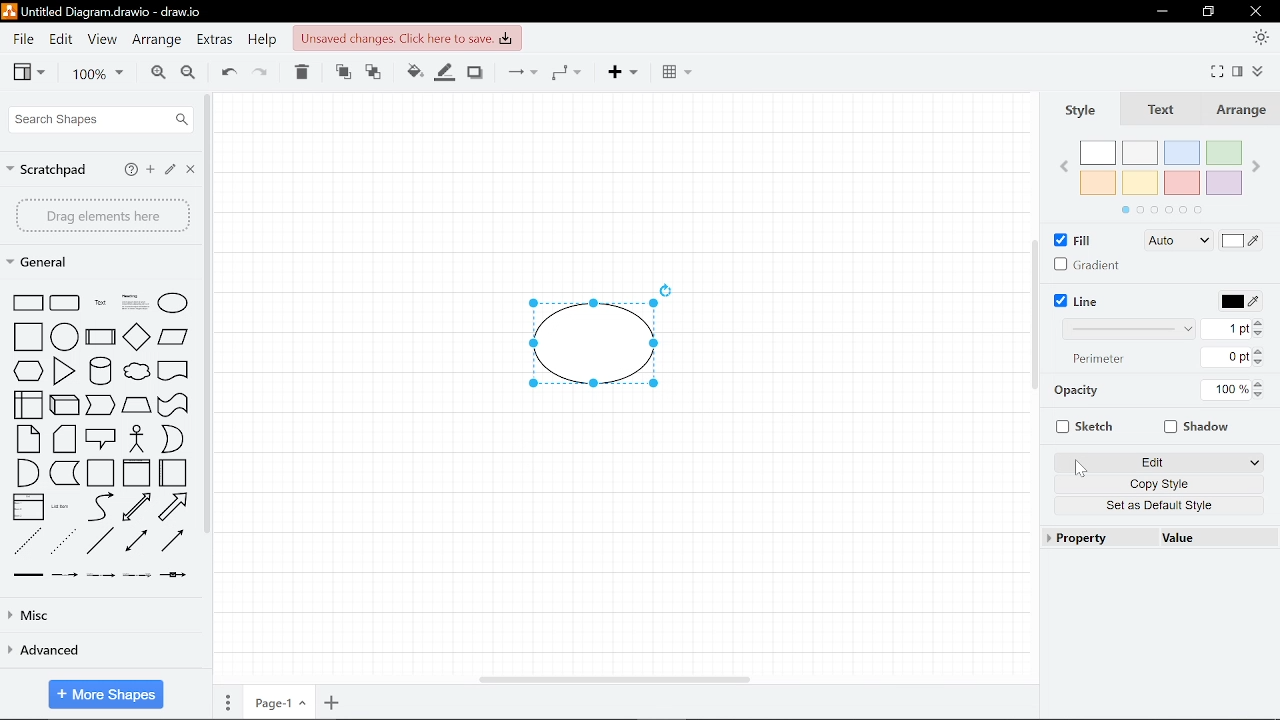 The height and width of the screenshot is (720, 1280). I want to click on Drag elements here, so click(103, 215).